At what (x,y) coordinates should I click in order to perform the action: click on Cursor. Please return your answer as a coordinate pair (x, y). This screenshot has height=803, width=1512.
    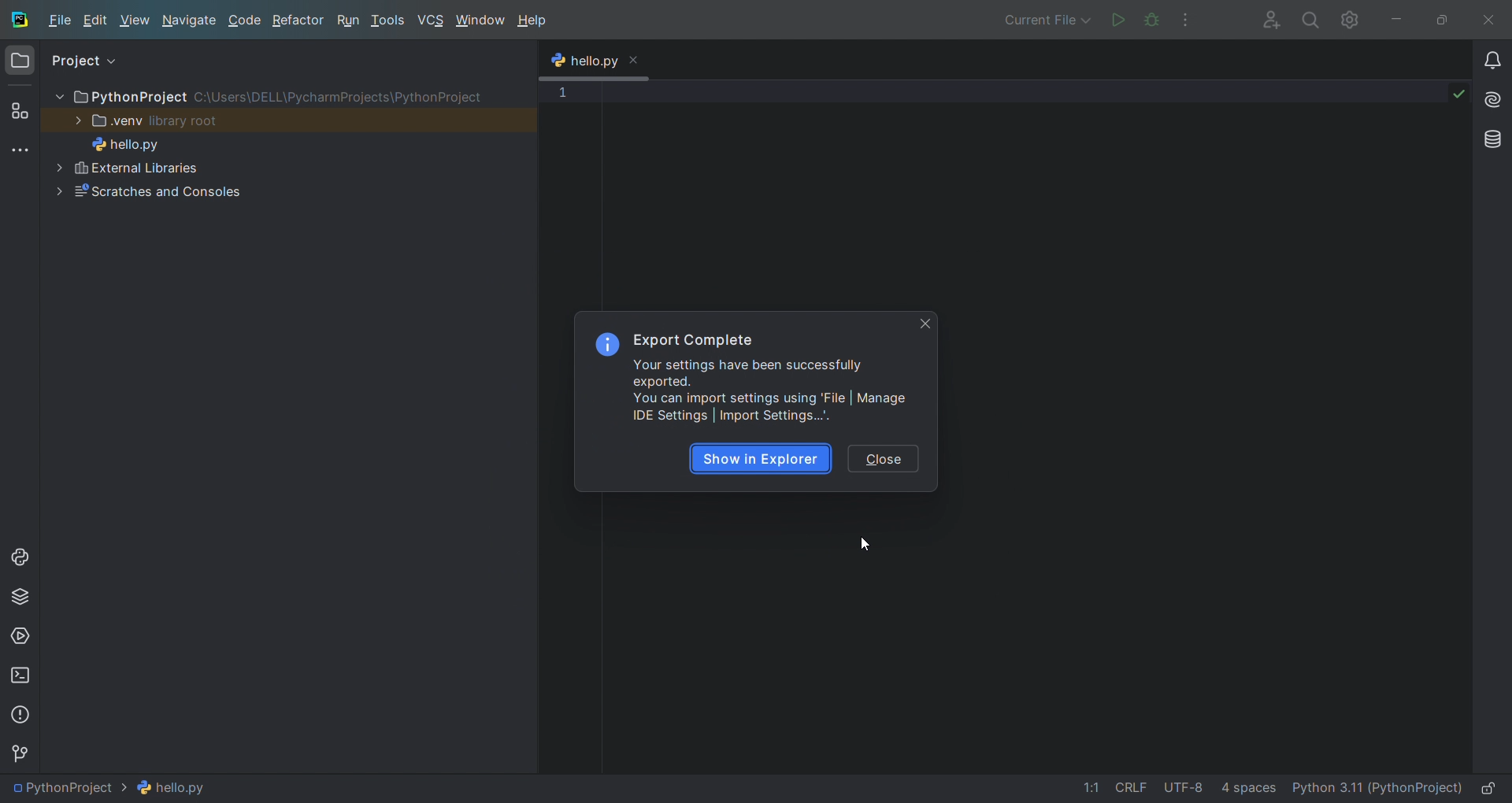
    Looking at the image, I should click on (864, 544).